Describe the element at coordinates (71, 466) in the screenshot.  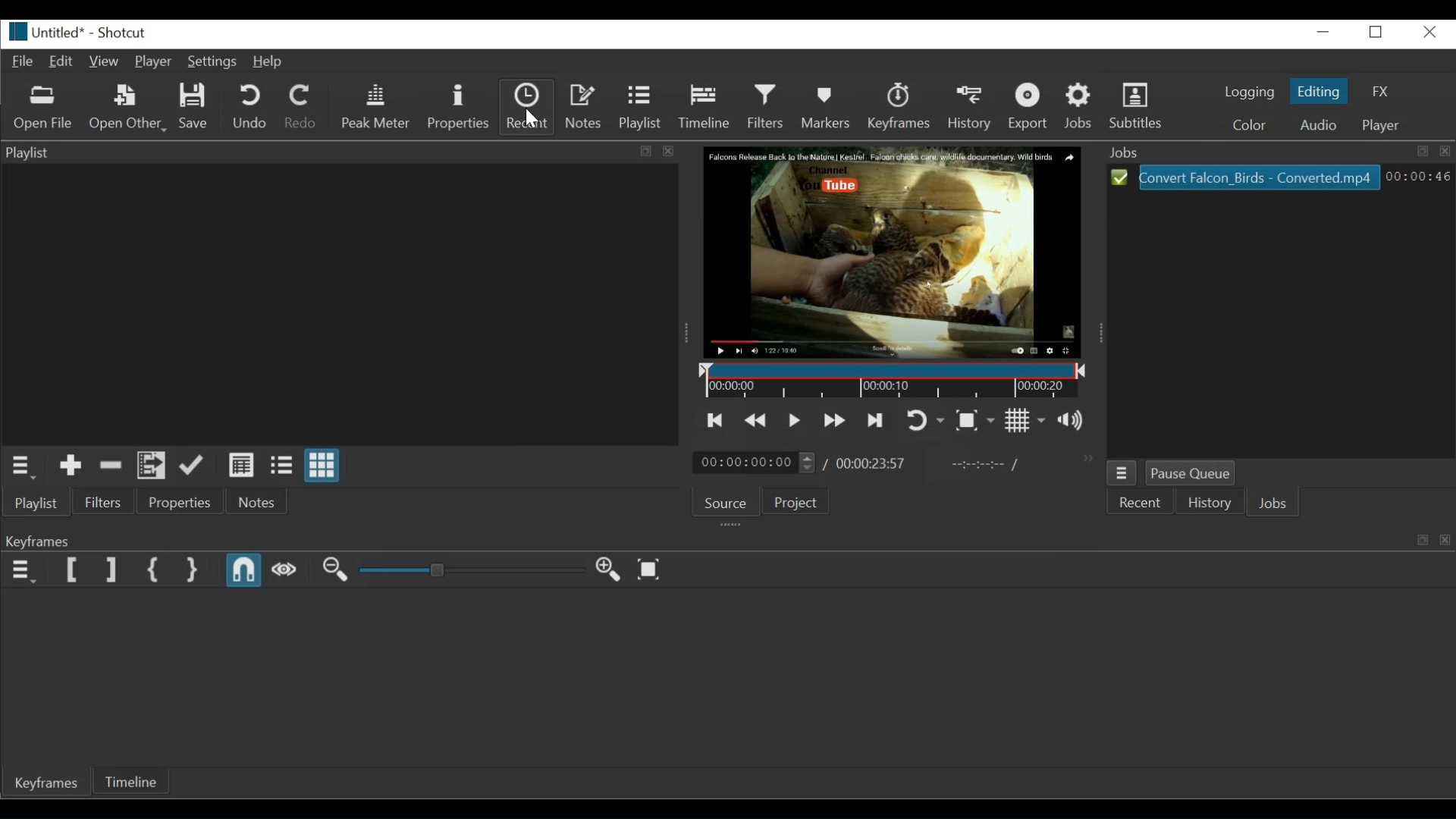
I see `Add to the playlist` at that location.